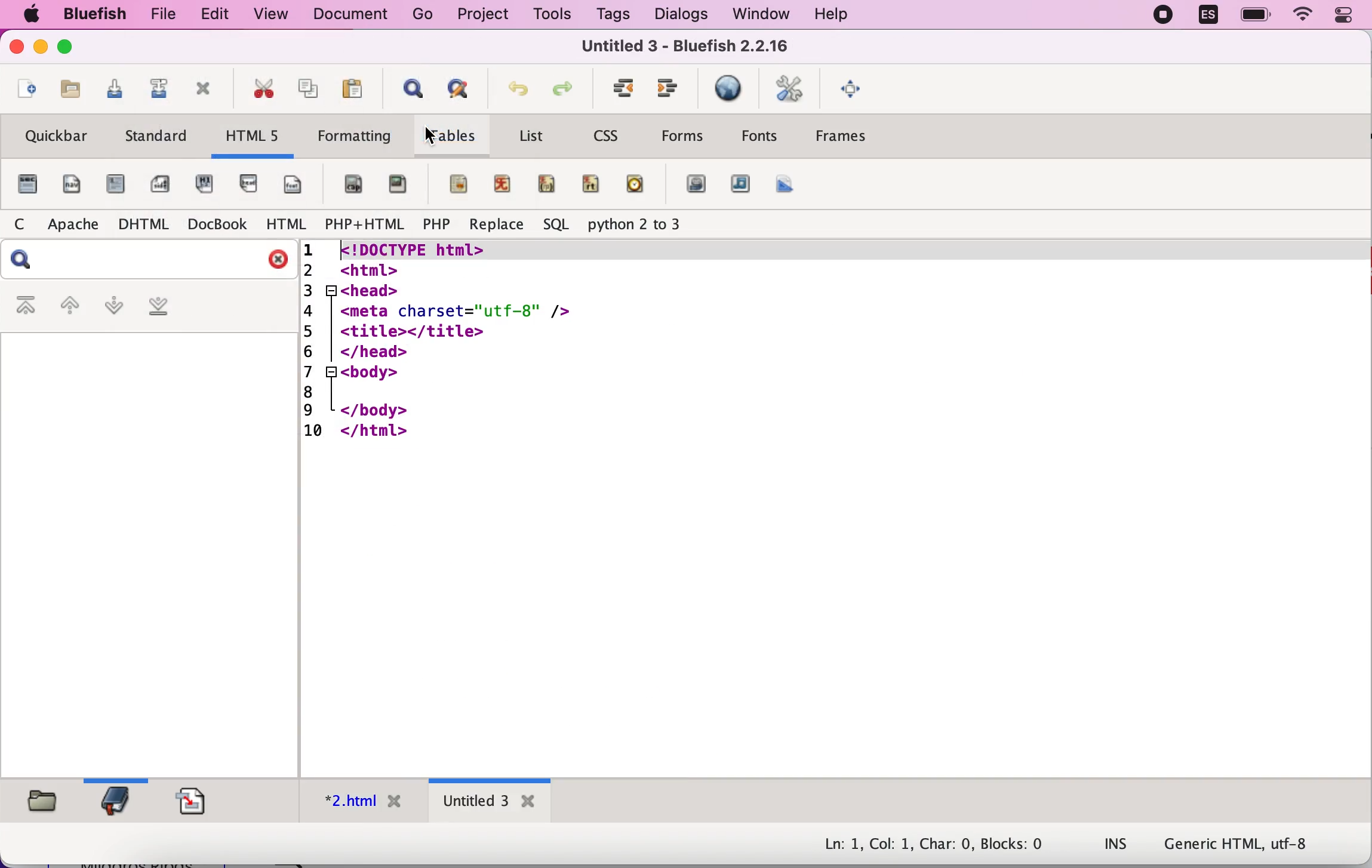  Describe the element at coordinates (153, 138) in the screenshot. I see `standard` at that location.